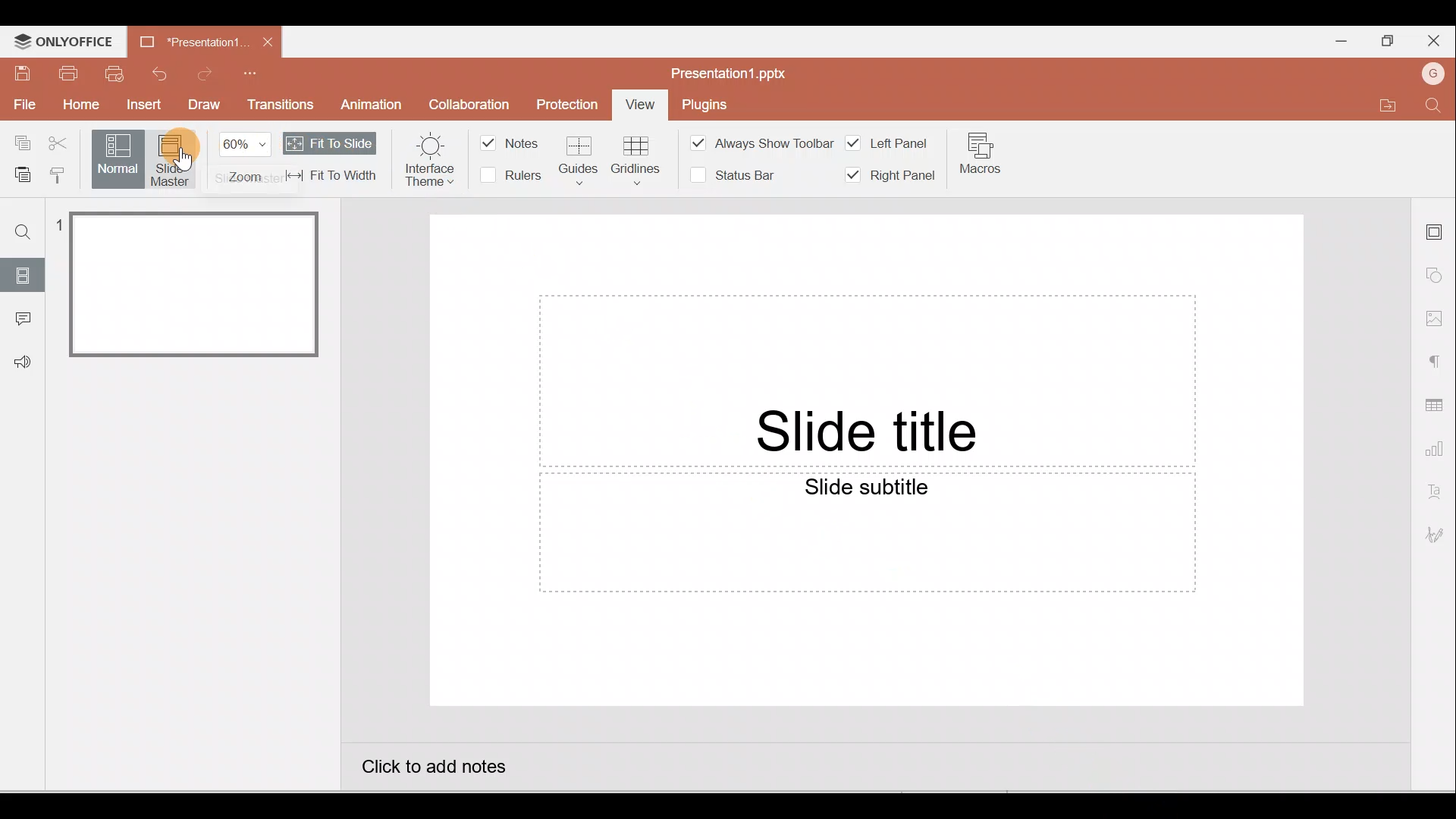 This screenshot has width=1456, height=819. Describe the element at coordinates (636, 156) in the screenshot. I see `Gridlines` at that location.